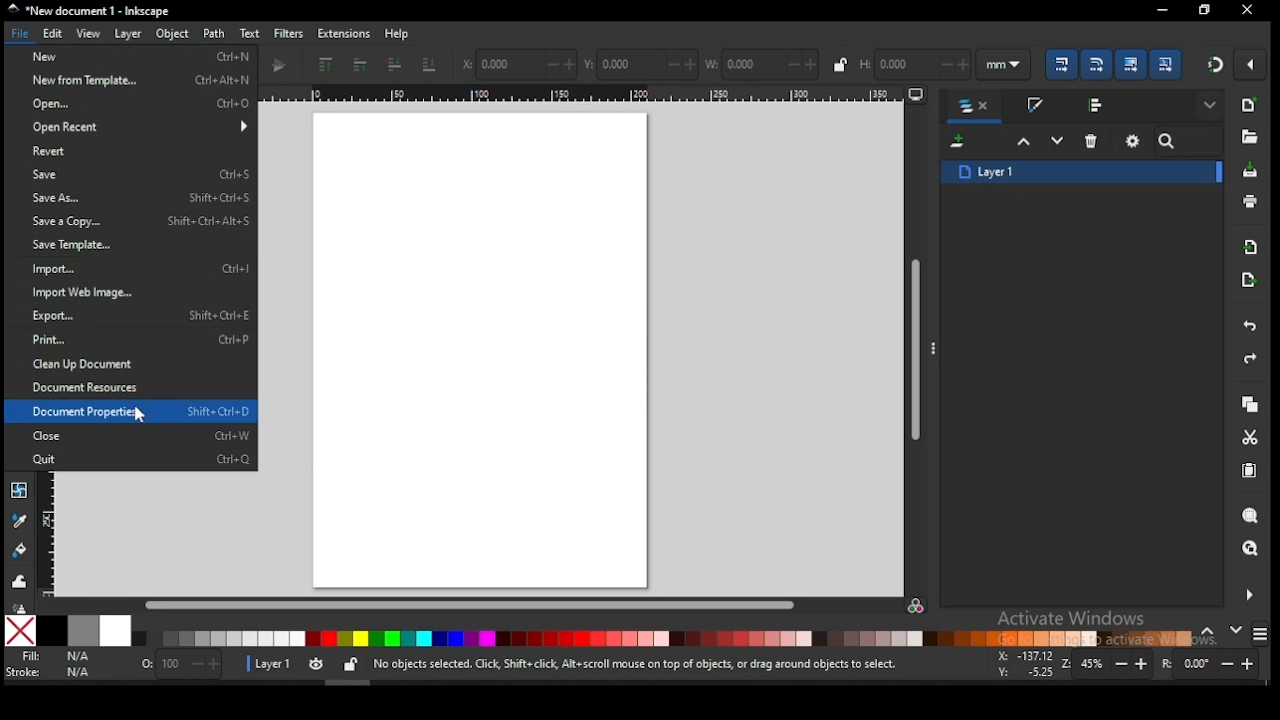 Image resolution: width=1280 pixels, height=720 pixels. Describe the element at coordinates (138, 174) in the screenshot. I see `save` at that location.